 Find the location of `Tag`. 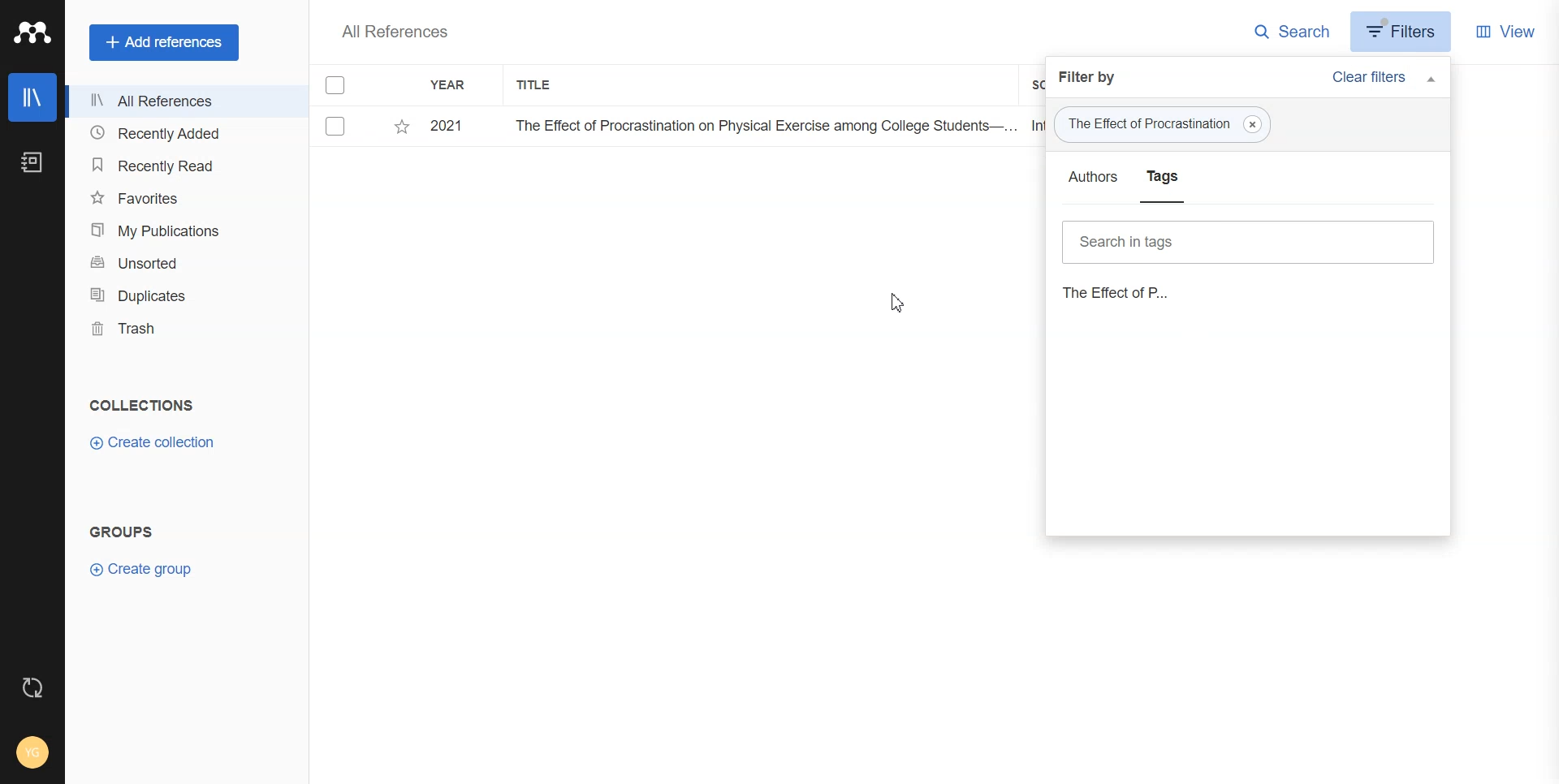

Tag is located at coordinates (1164, 124).